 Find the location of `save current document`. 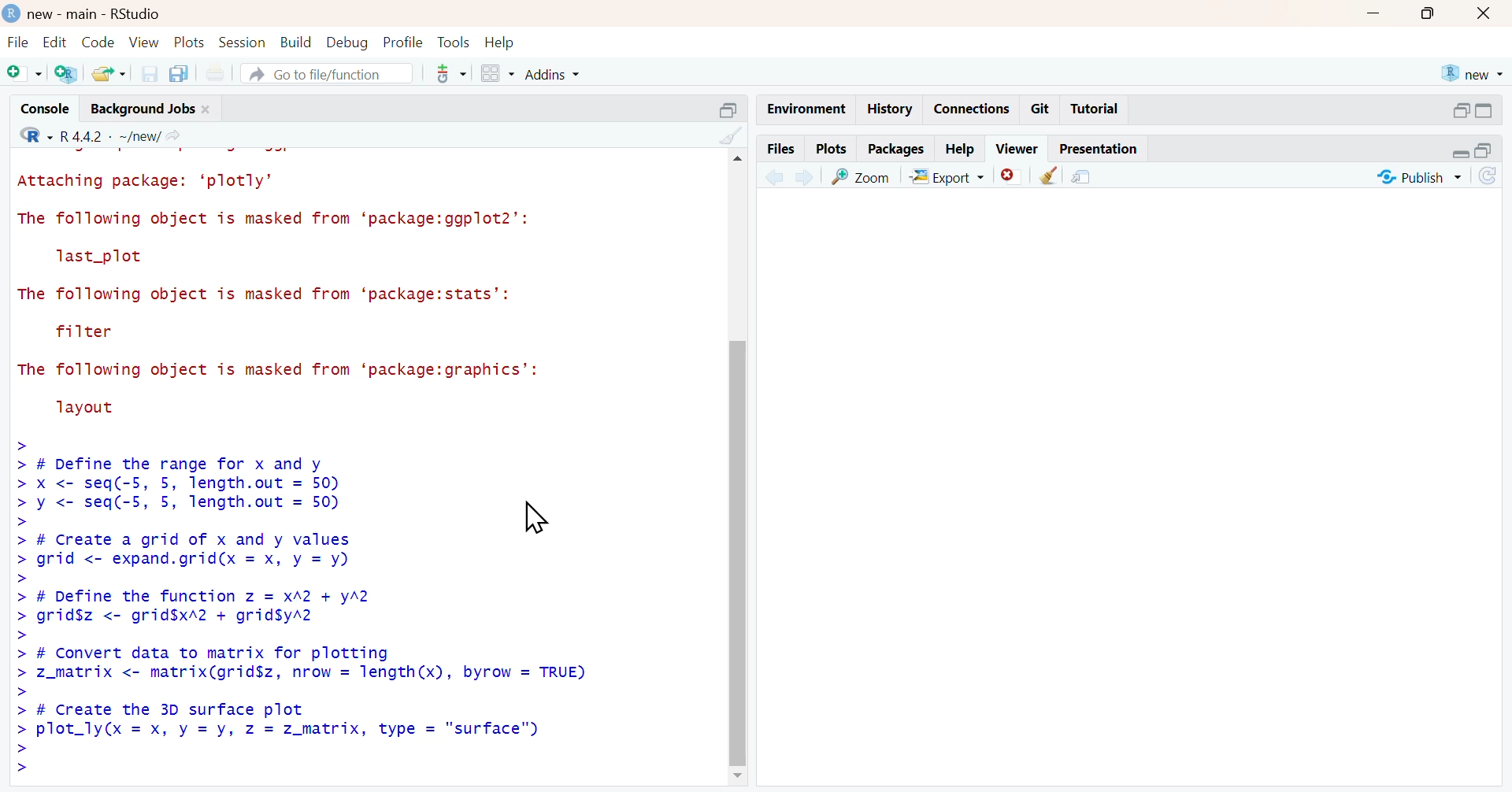

save current document is located at coordinates (149, 73).